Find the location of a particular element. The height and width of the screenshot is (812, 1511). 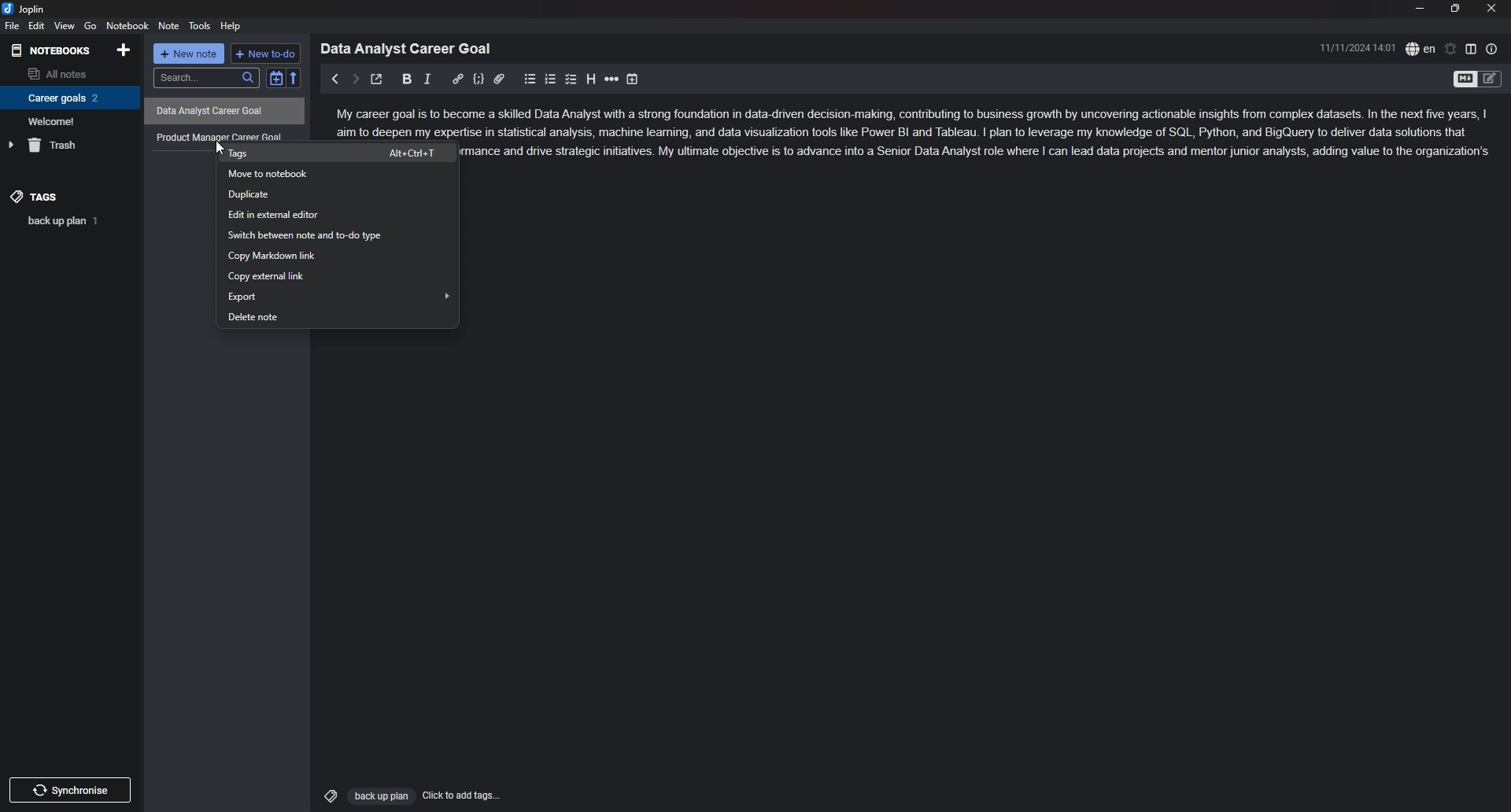

Synchronize is located at coordinates (71, 789).